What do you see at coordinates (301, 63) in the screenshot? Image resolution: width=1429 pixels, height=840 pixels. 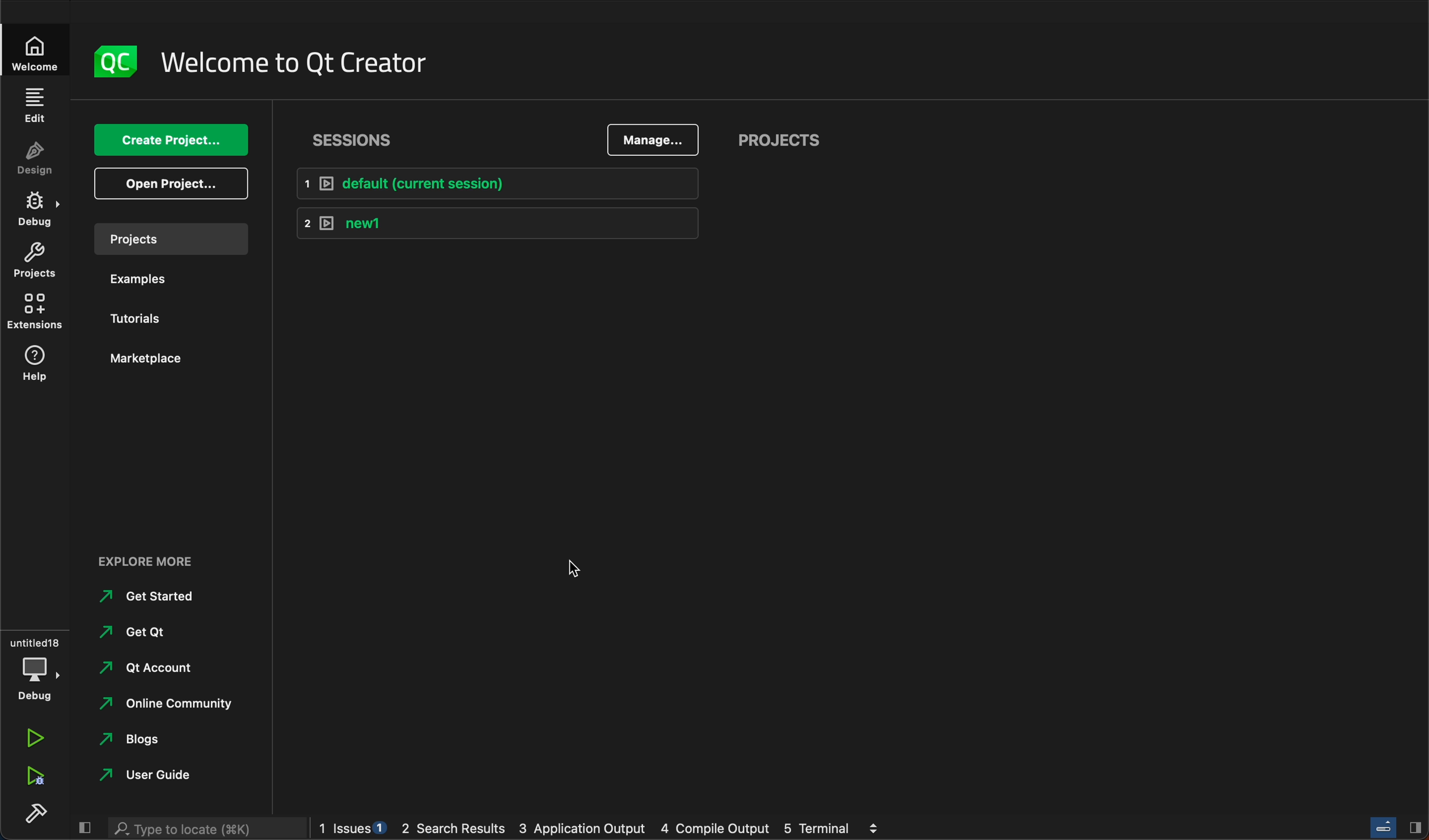 I see `welcome to qt` at bounding box center [301, 63].